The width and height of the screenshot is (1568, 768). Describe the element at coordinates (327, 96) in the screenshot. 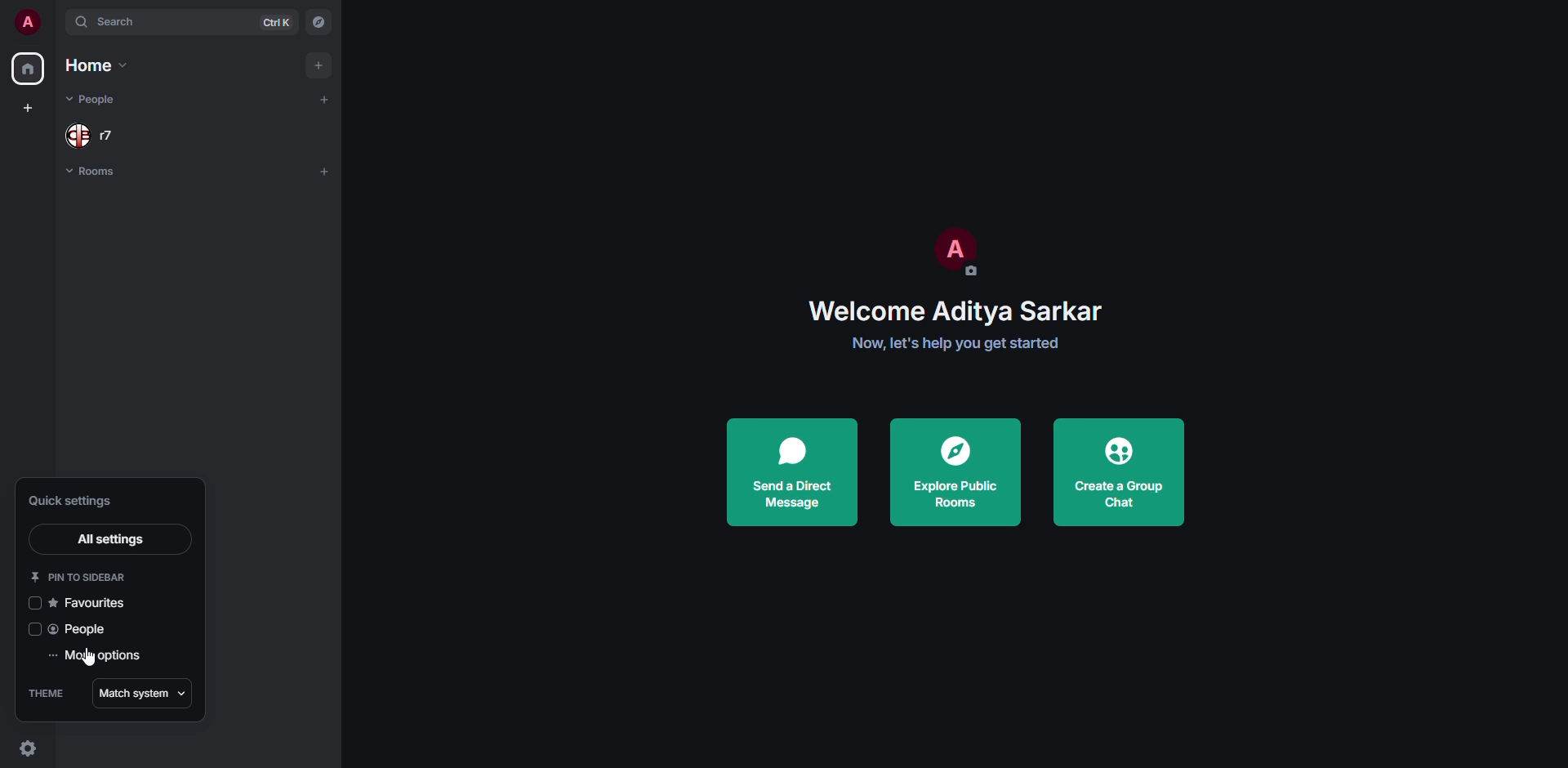

I see `add` at that location.